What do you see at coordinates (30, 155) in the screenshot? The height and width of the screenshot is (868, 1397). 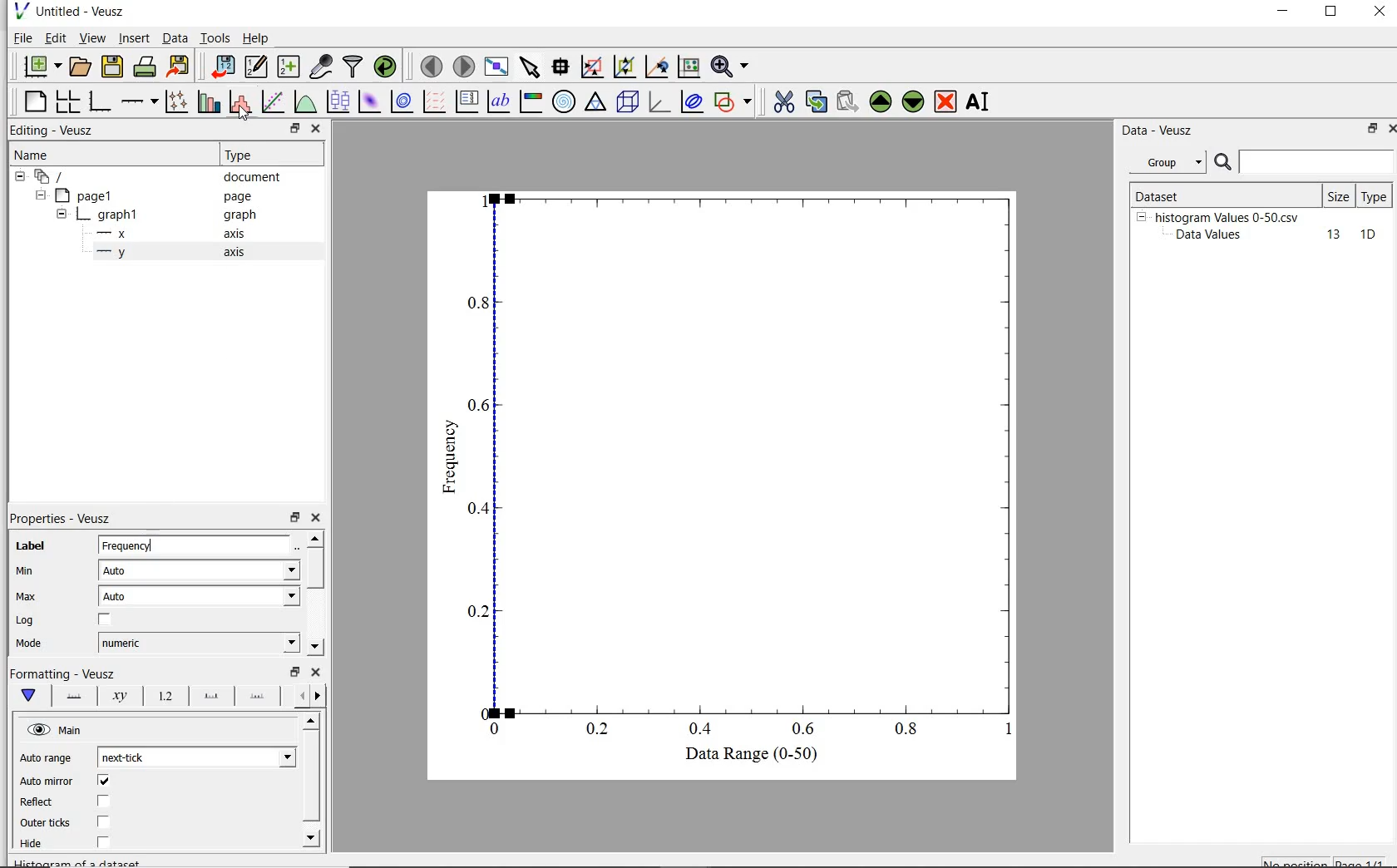 I see `name` at bounding box center [30, 155].